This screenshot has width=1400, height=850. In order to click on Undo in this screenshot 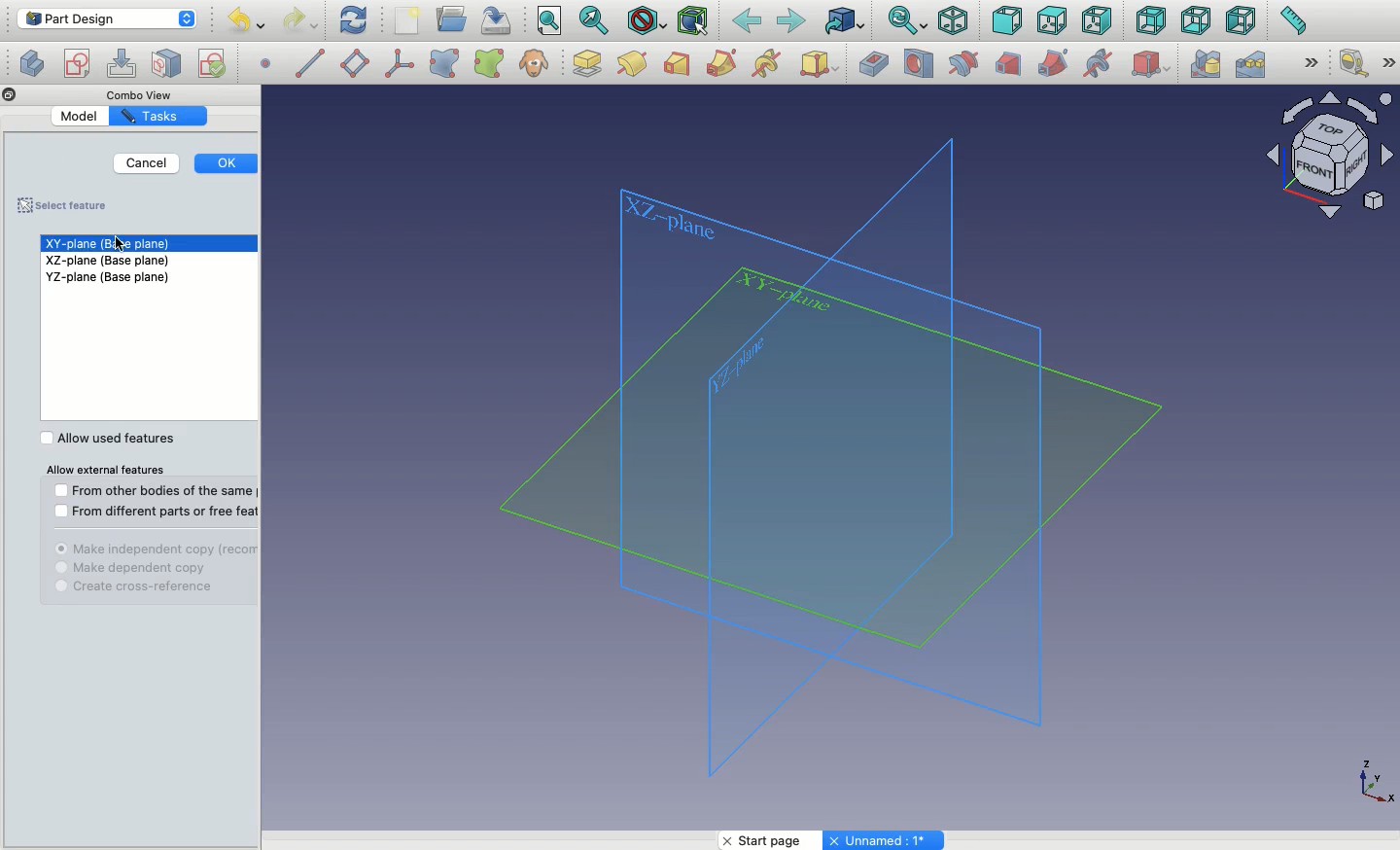, I will do `click(249, 23)`.